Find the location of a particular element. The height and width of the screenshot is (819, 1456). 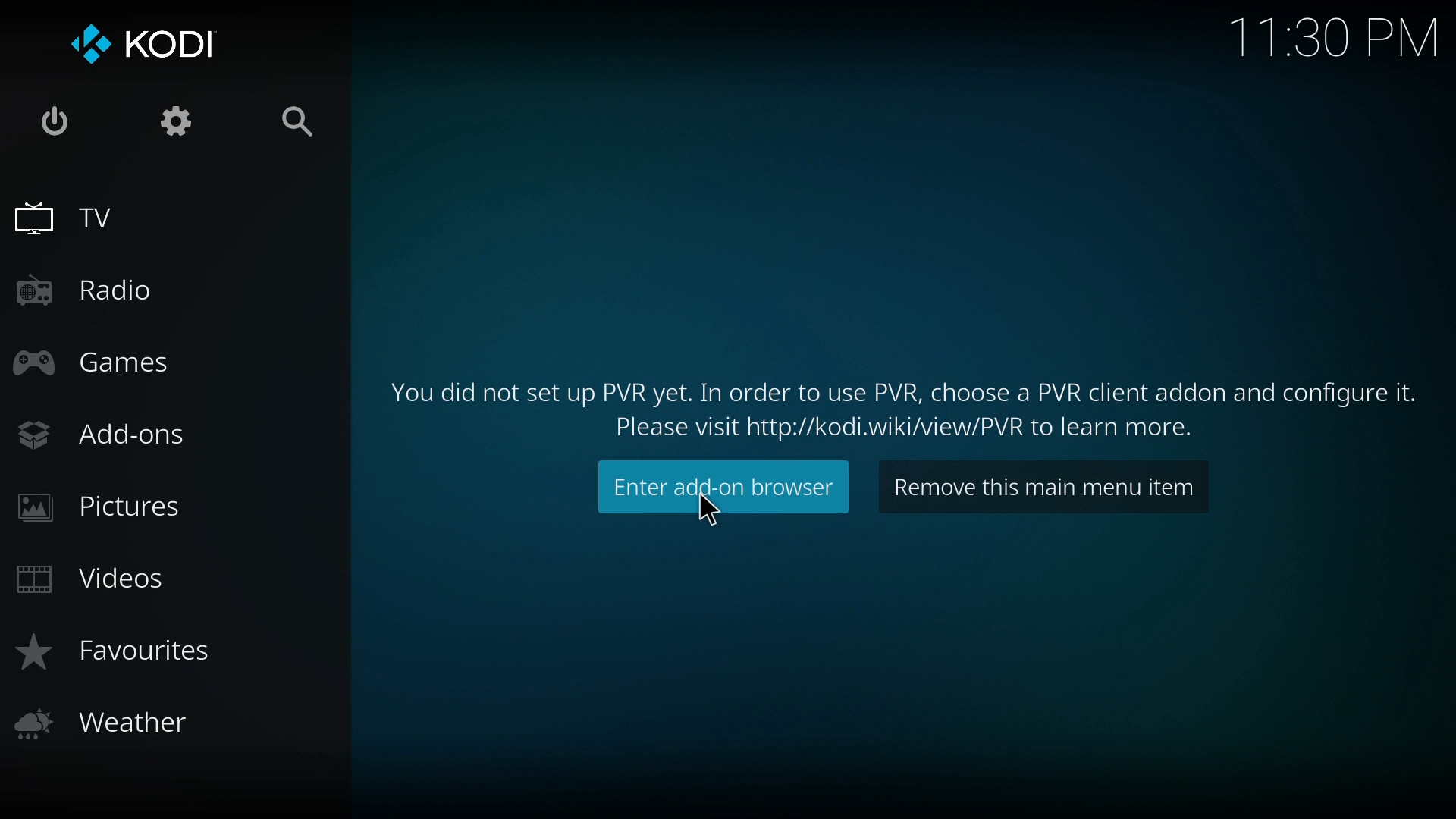

Remove this main menu item is located at coordinates (1047, 489).